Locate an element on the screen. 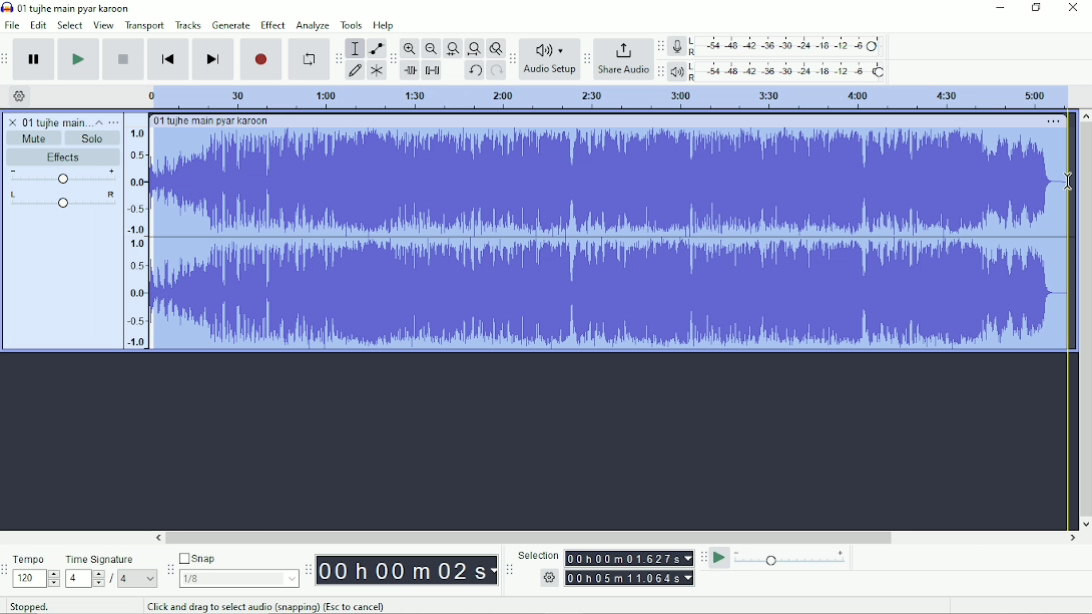 Image resolution: width=1092 pixels, height=614 pixels. Audacity selection toolbar is located at coordinates (509, 570).